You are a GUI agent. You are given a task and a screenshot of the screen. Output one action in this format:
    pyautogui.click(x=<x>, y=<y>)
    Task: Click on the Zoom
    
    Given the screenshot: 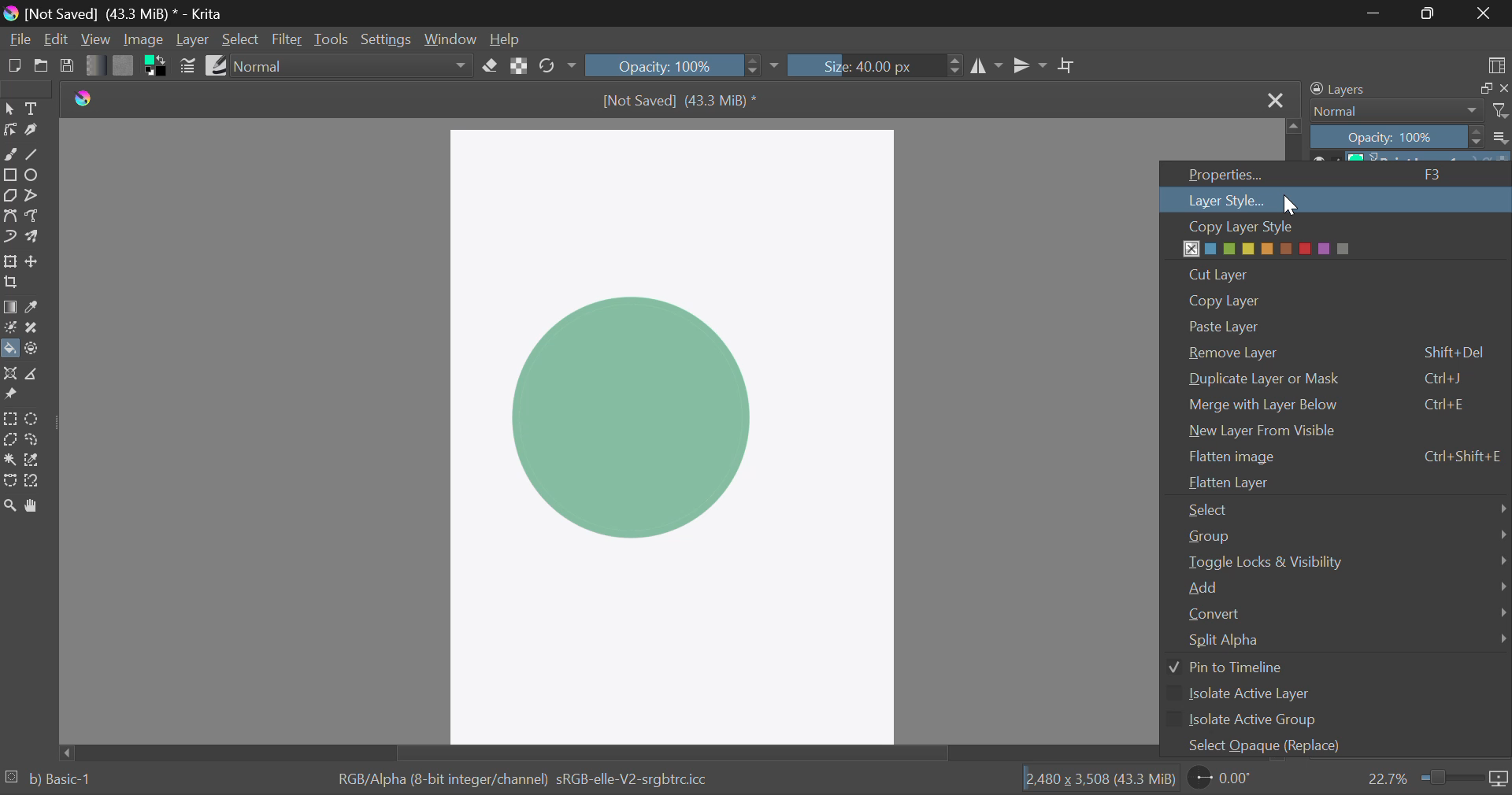 What is the action you would take?
    pyautogui.click(x=1437, y=778)
    